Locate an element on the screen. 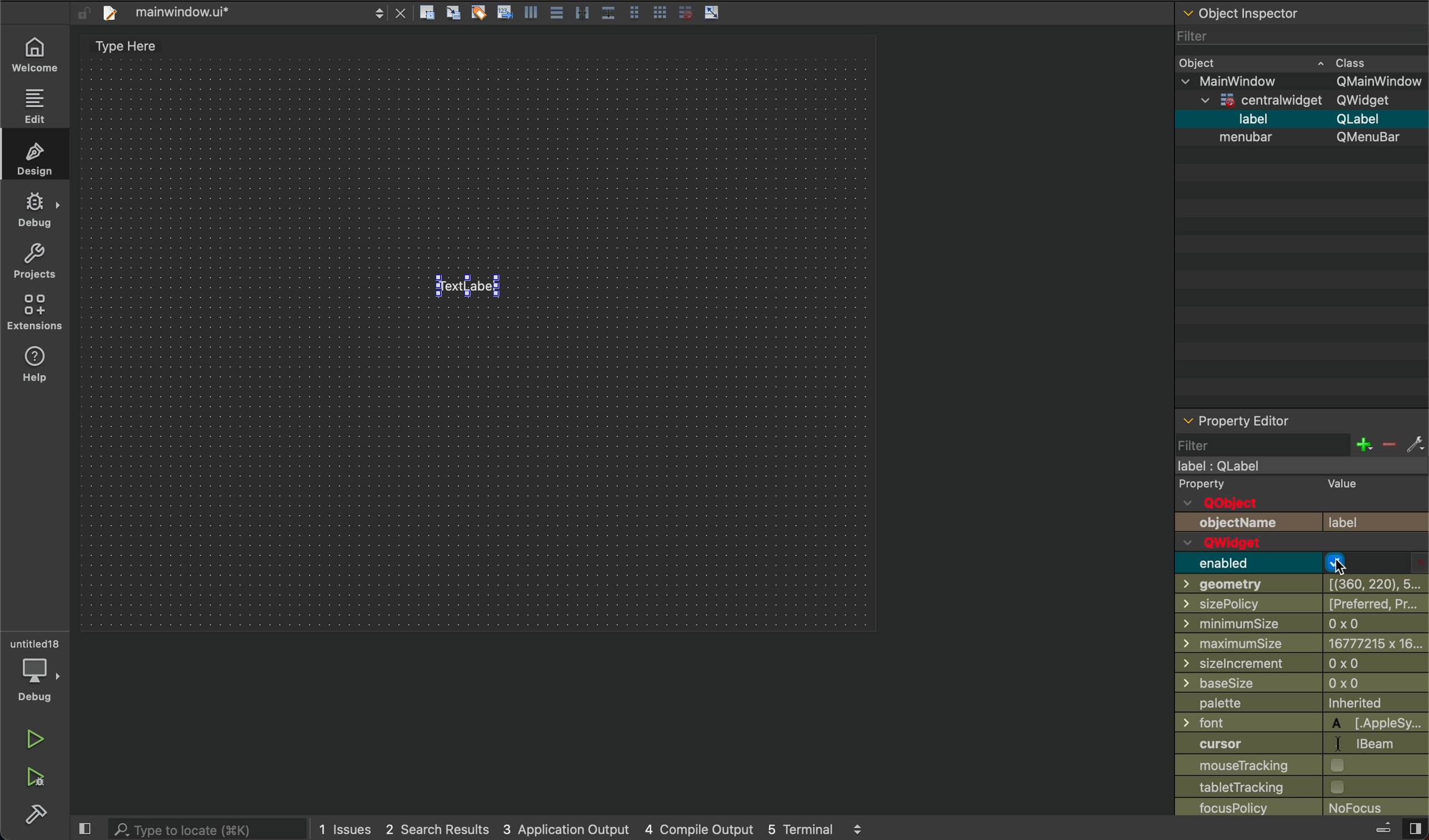 The height and width of the screenshot is (840, 1429). 0 x 0 is located at coordinates (1369, 622).